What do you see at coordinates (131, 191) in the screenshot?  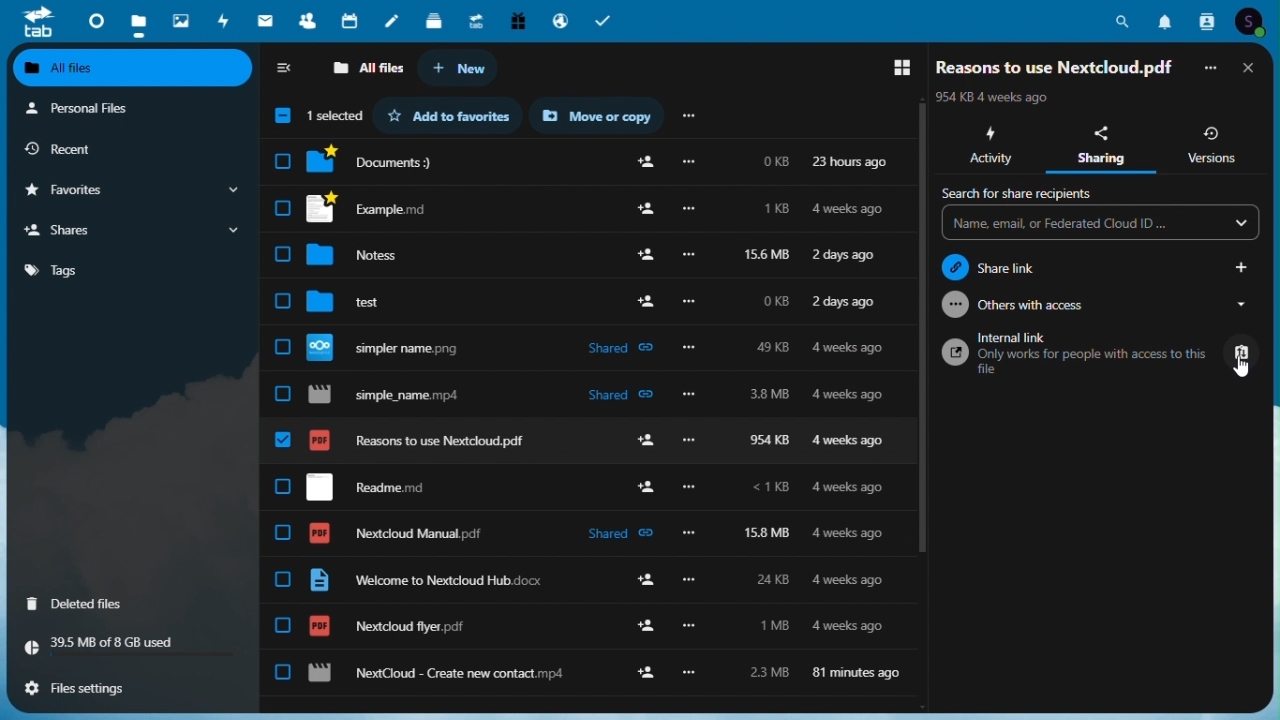 I see `favourites` at bounding box center [131, 191].